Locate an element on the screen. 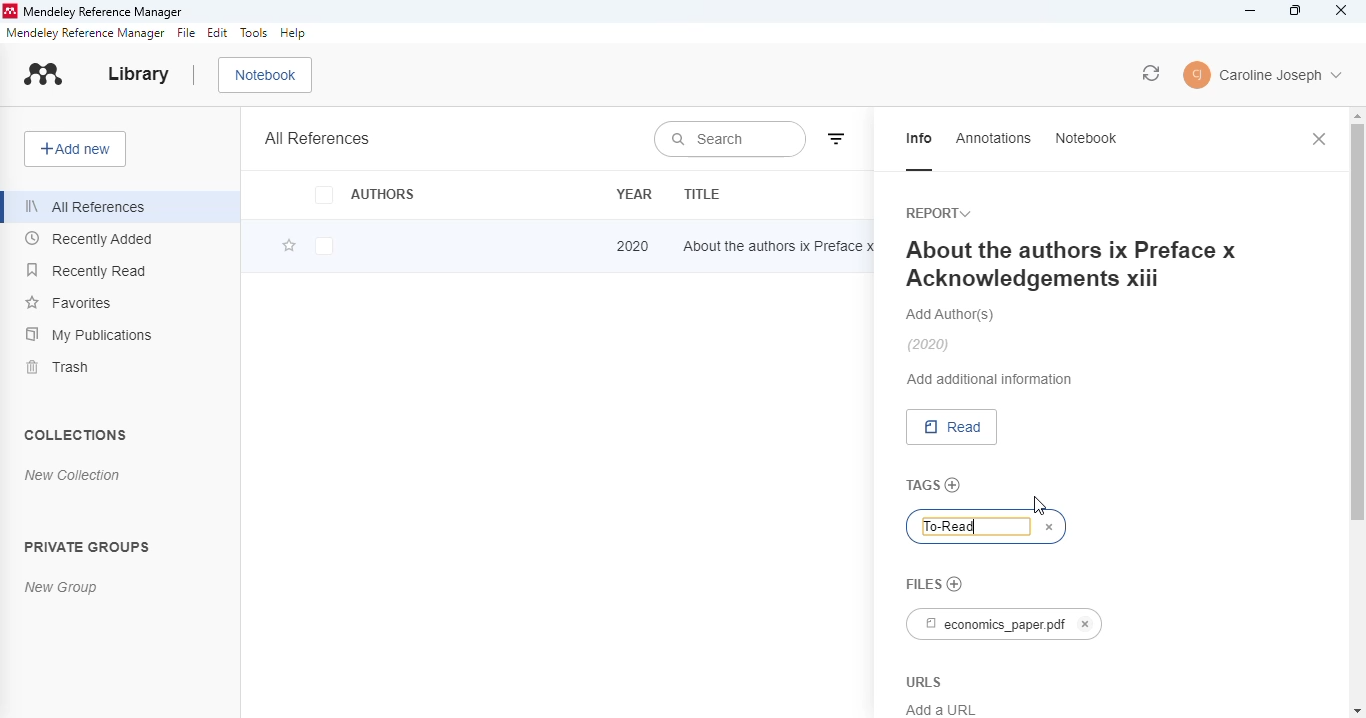  close is located at coordinates (1341, 10).